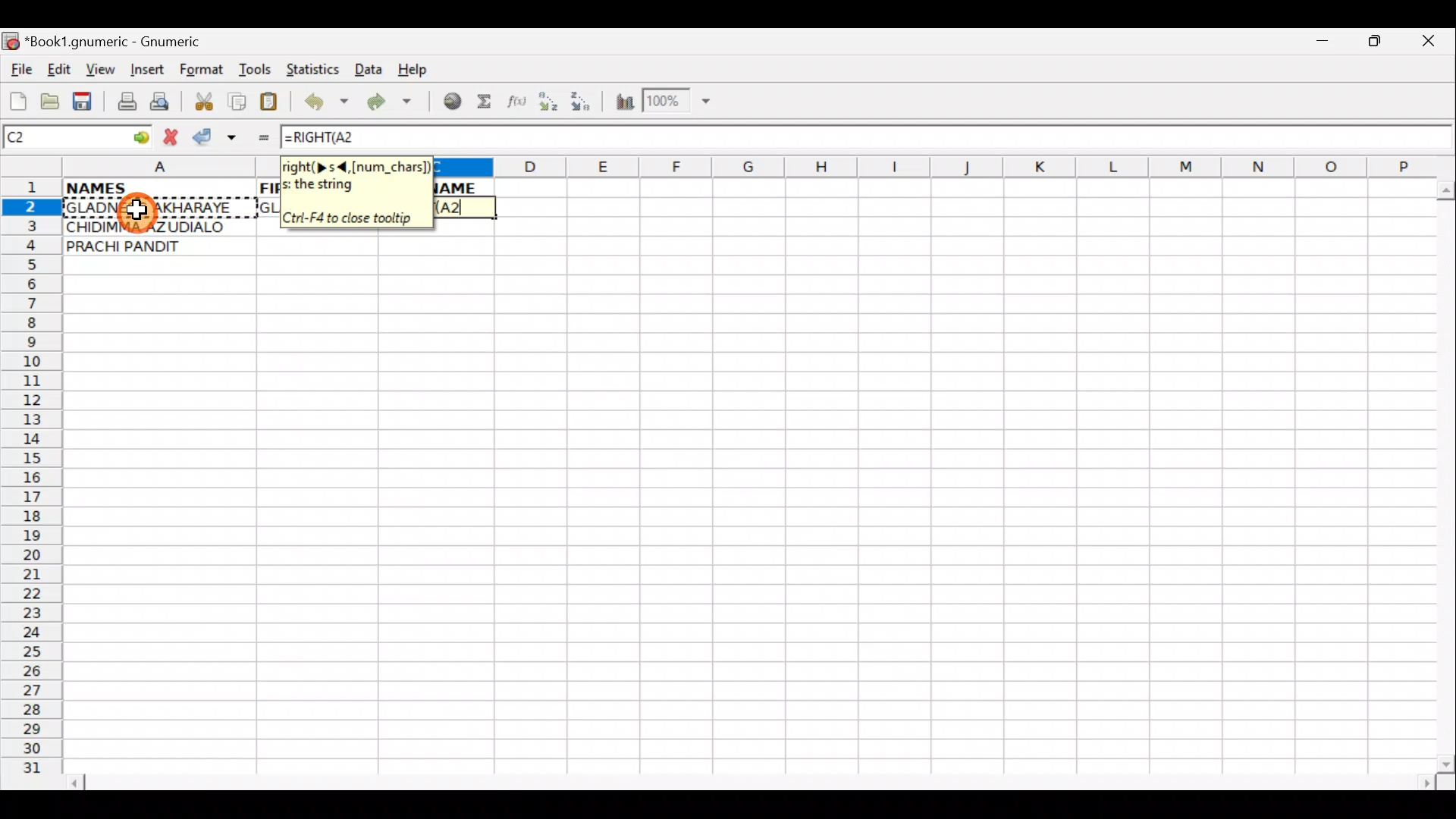 The image size is (1456, 819). What do you see at coordinates (679, 103) in the screenshot?
I see `Zoom` at bounding box center [679, 103].